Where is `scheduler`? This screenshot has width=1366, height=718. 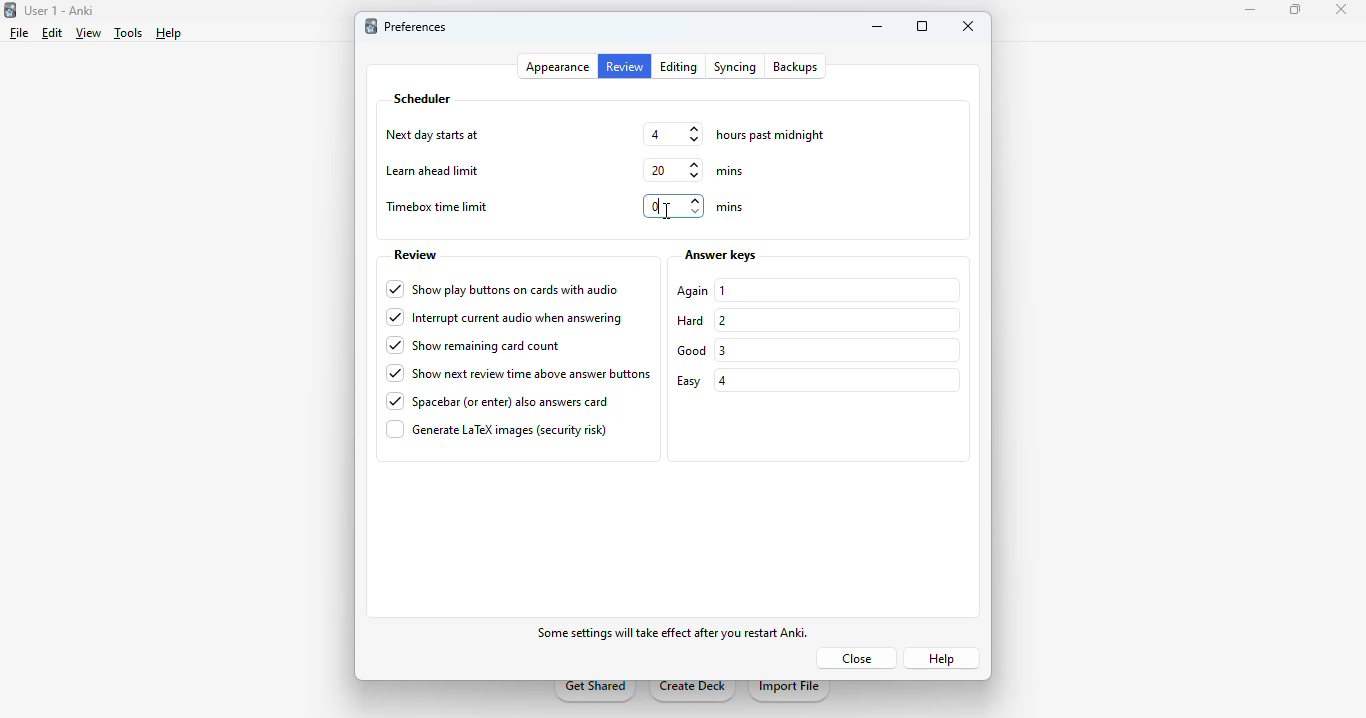
scheduler is located at coordinates (423, 99).